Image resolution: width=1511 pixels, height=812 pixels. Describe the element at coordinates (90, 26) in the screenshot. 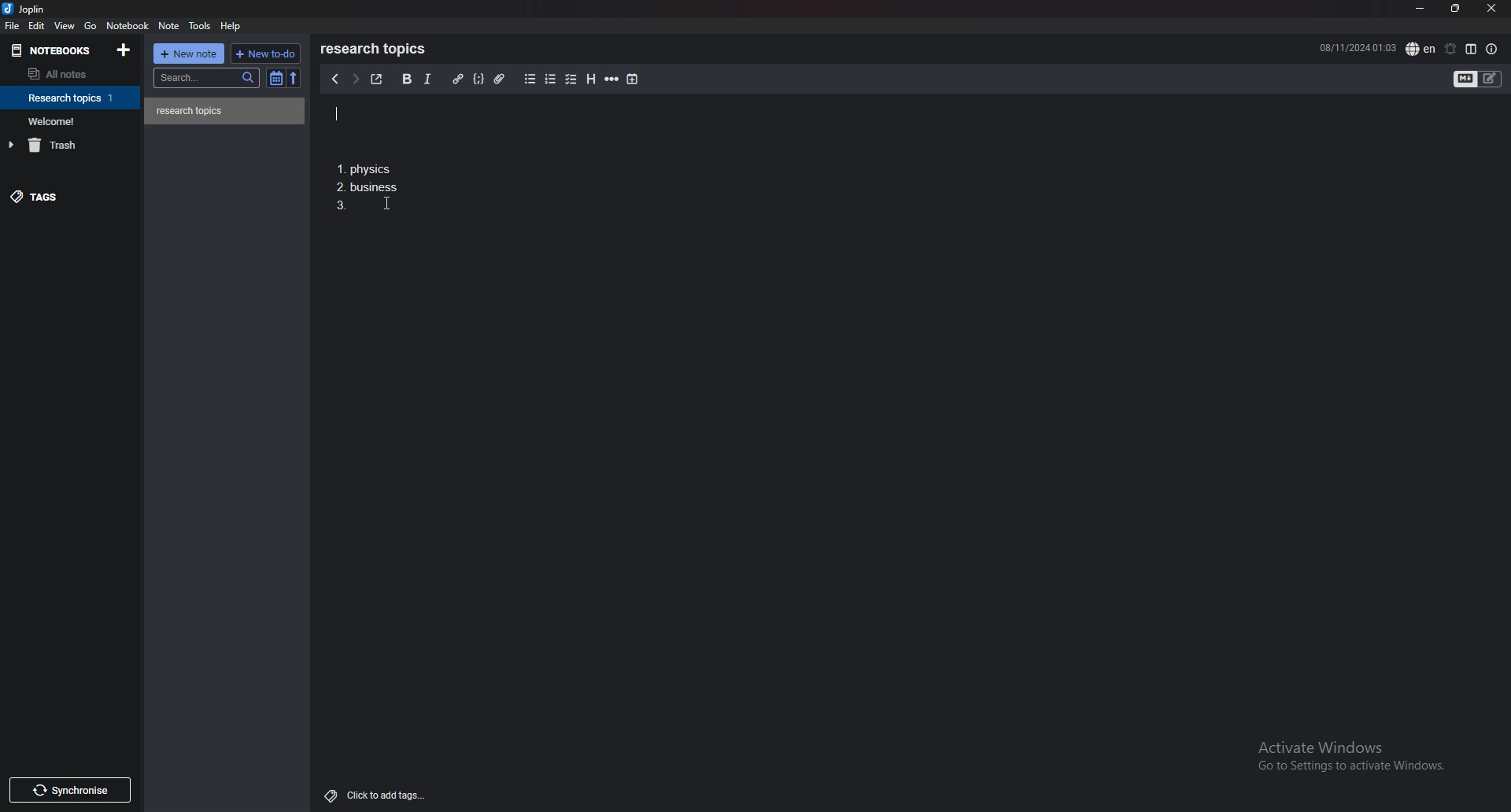

I see `go` at that location.